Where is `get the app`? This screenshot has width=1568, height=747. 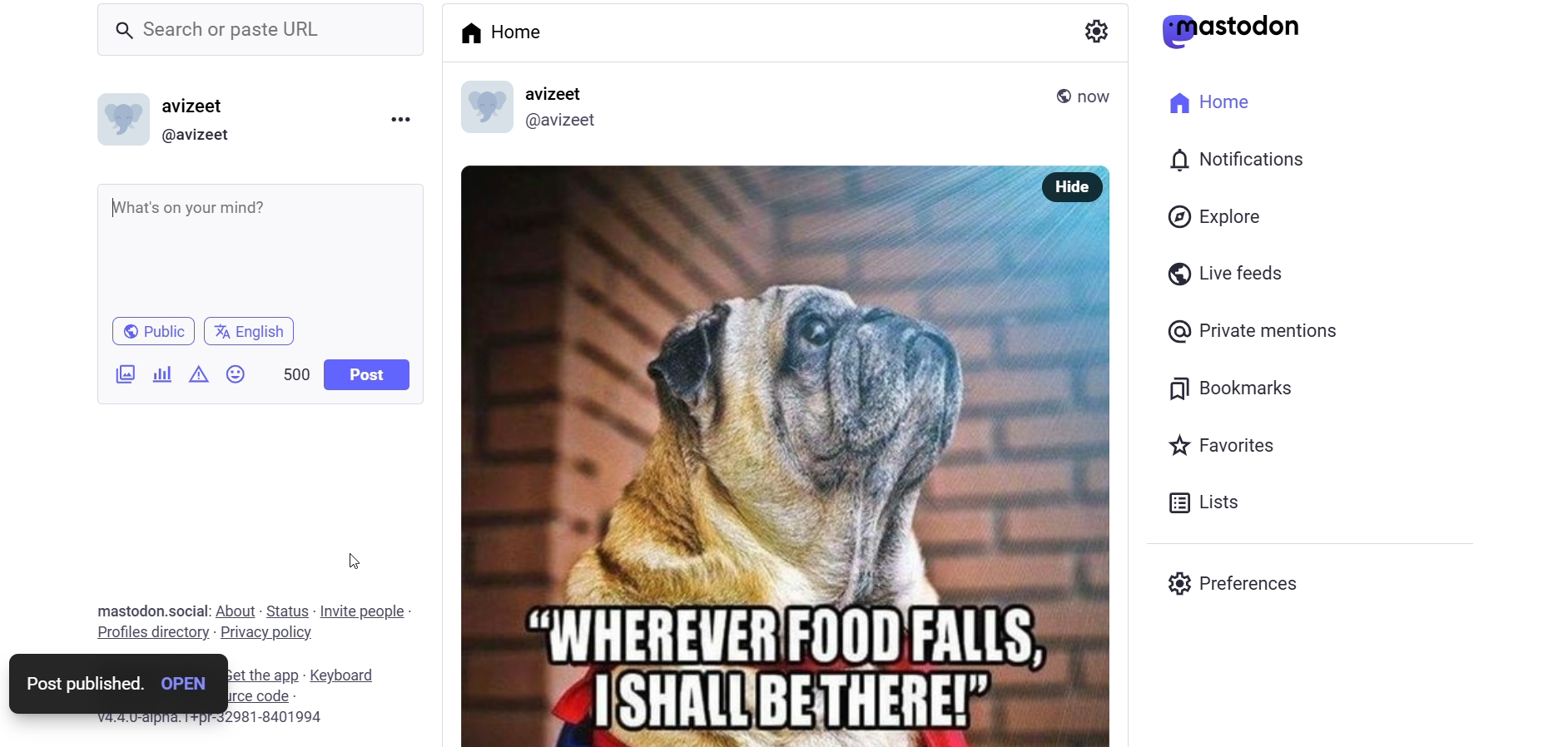 get the app is located at coordinates (261, 675).